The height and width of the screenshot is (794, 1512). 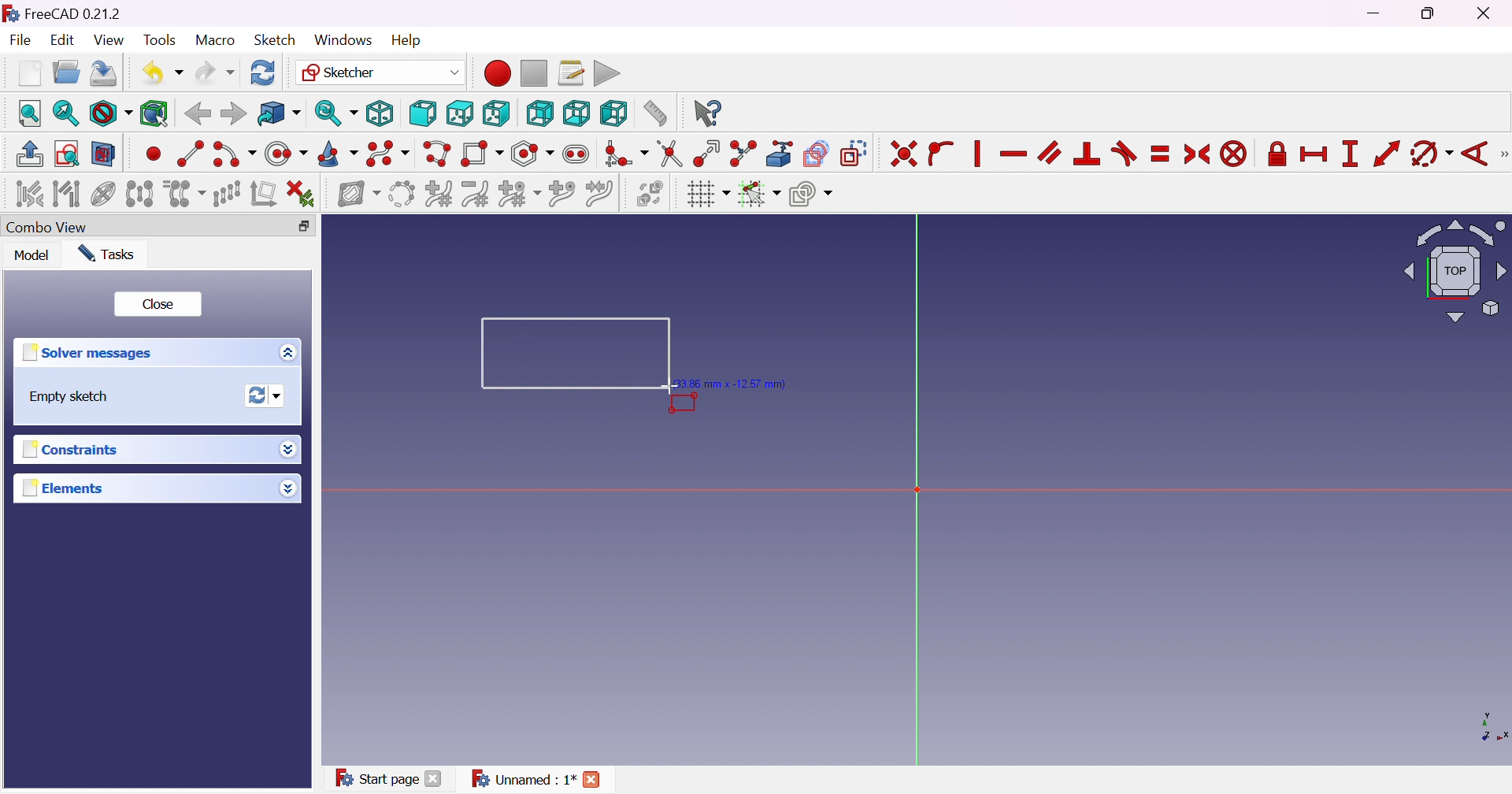 What do you see at coordinates (708, 155) in the screenshot?
I see `Extend edge` at bounding box center [708, 155].